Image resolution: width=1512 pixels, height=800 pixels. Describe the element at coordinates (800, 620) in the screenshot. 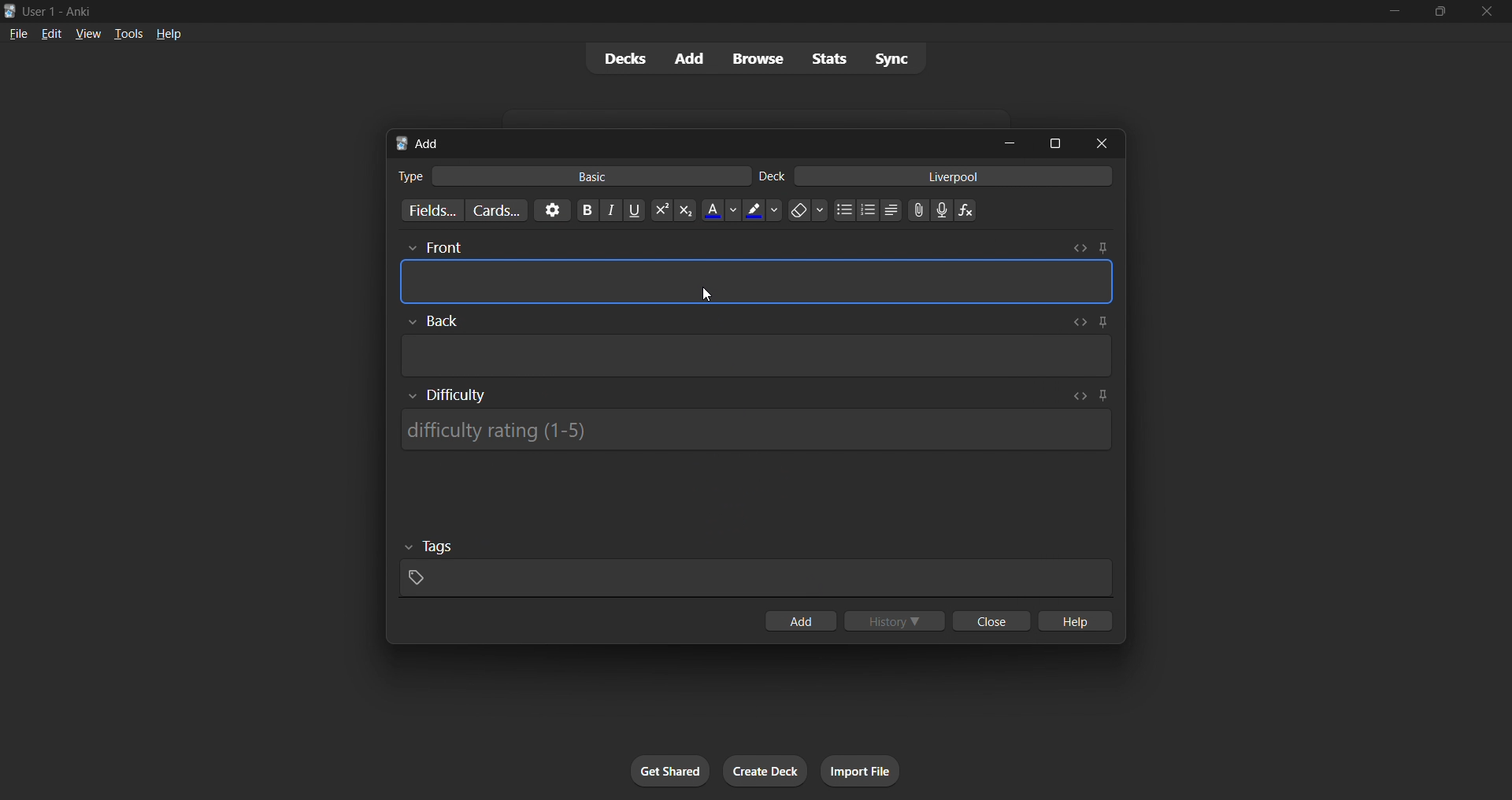

I see `add` at that location.